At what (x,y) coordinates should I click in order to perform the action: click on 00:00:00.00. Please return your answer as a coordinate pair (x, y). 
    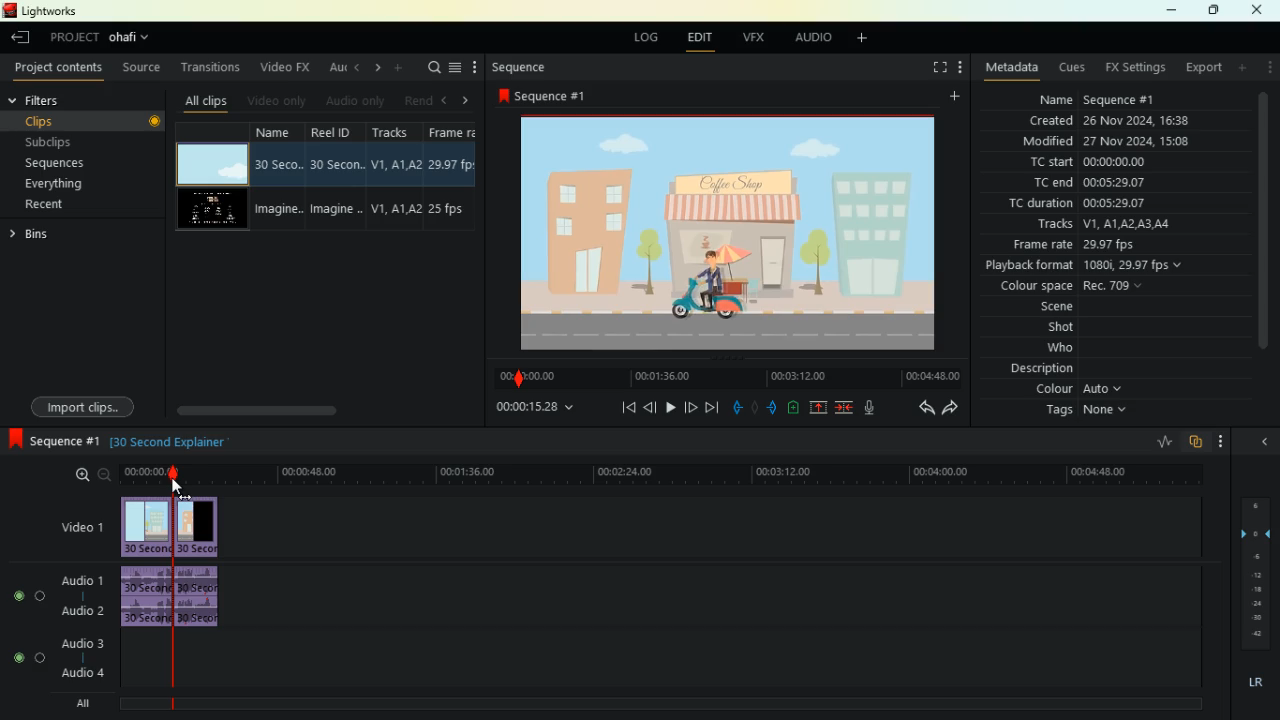
    Looking at the image, I should click on (1114, 161).